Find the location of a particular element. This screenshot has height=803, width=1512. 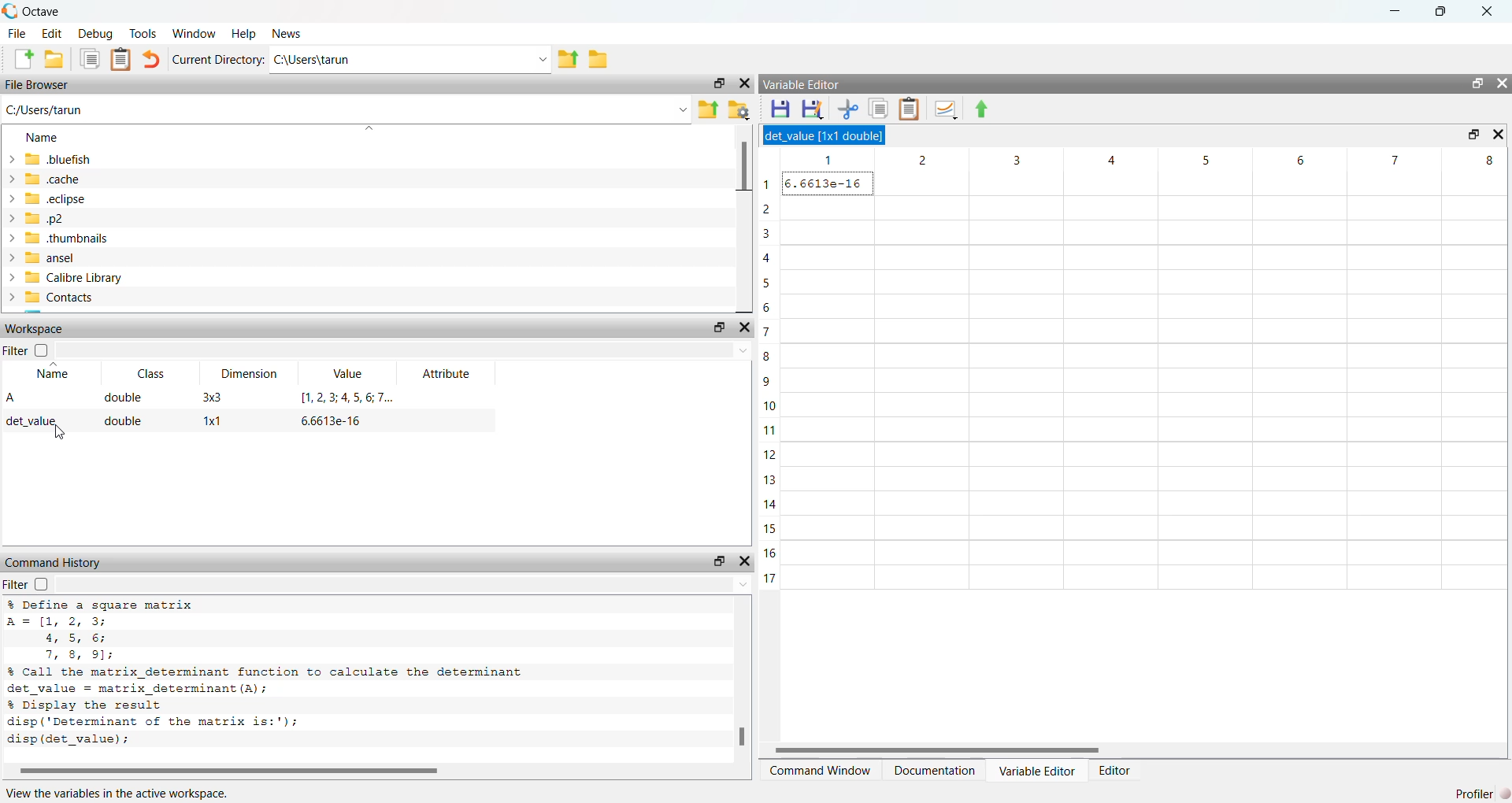

plot selected data is located at coordinates (947, 111).